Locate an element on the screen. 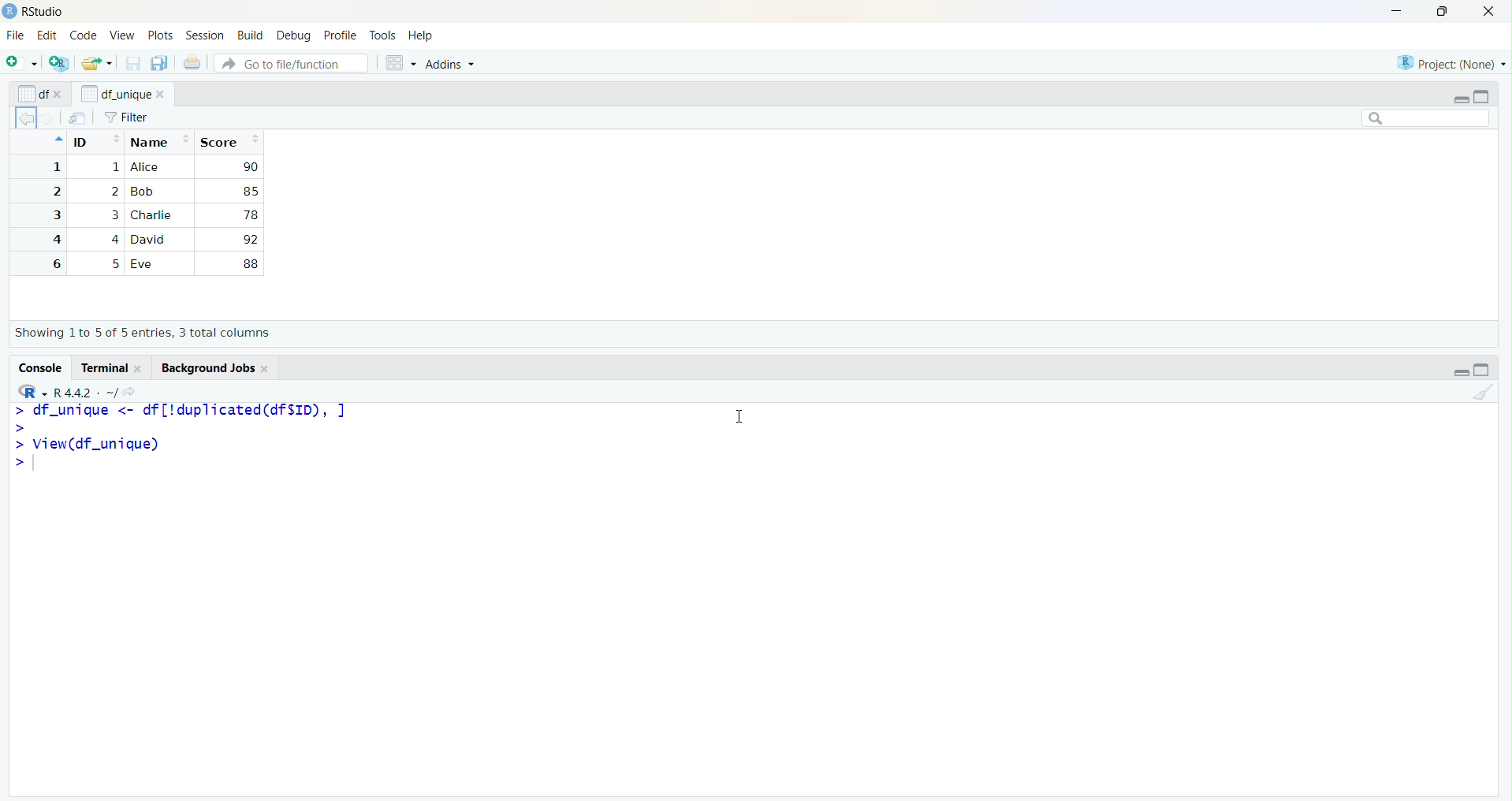  3 is located at coordinates (114, 311).